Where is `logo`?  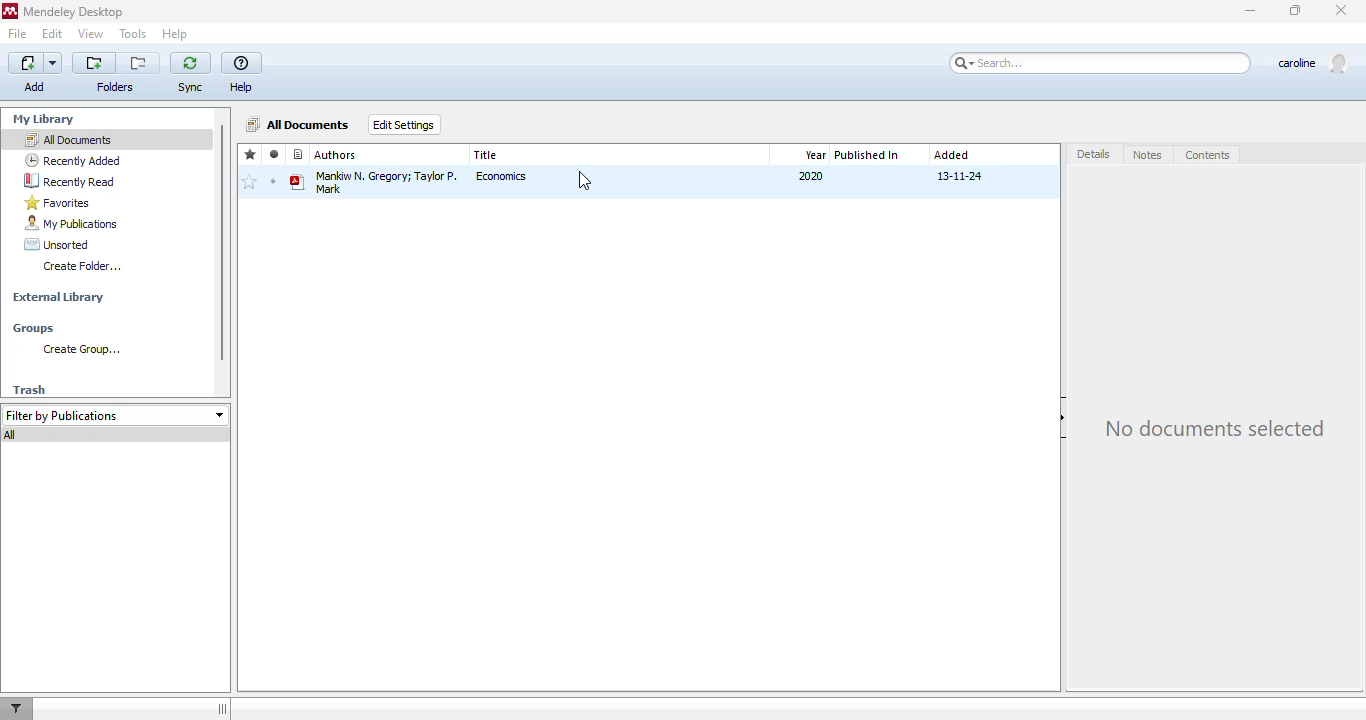 logo is located at coordinates (9, 11).